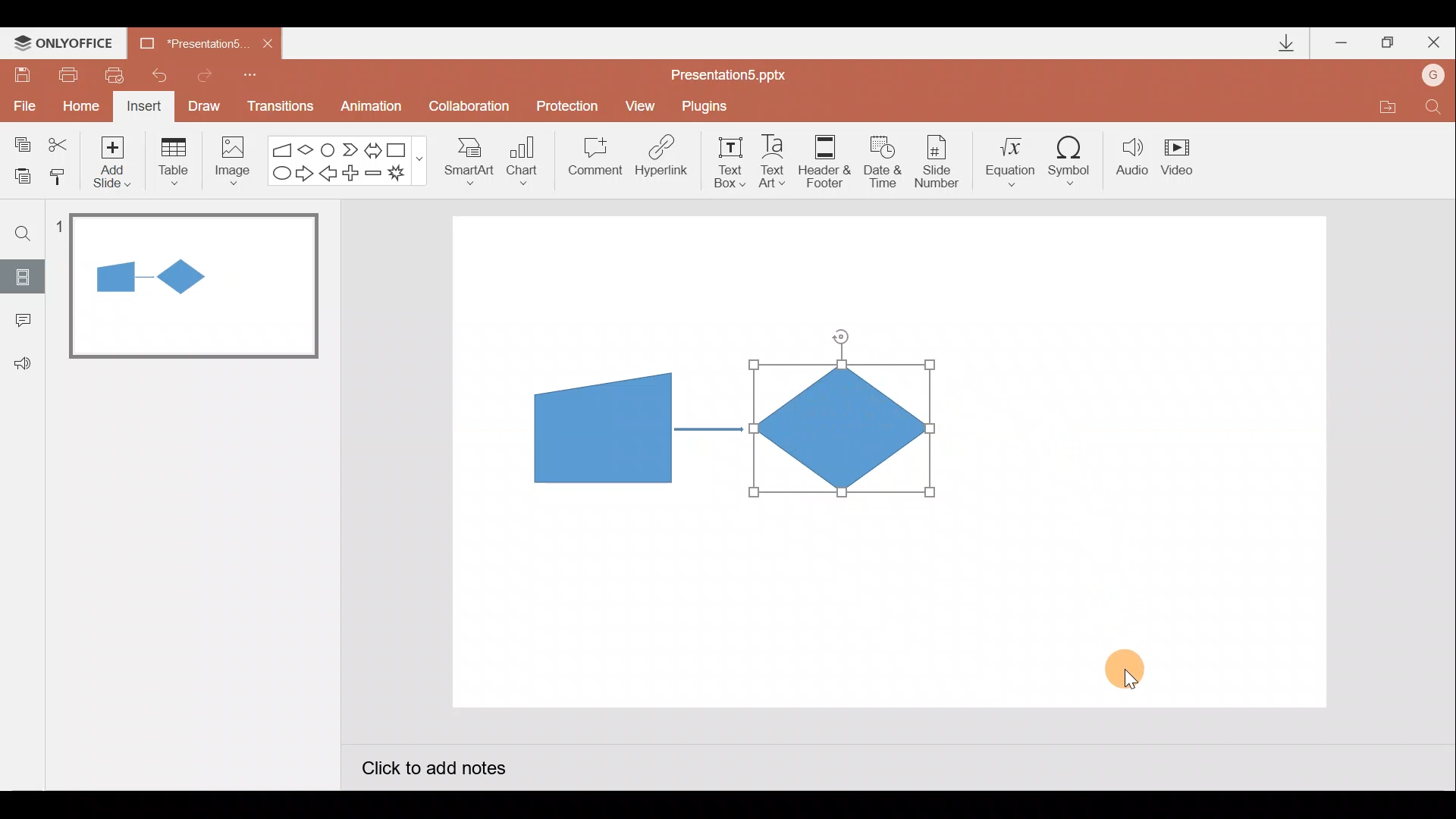 The height and width of the screenshot is (819, 1456). I want to click on Video, so click(1183, 158).